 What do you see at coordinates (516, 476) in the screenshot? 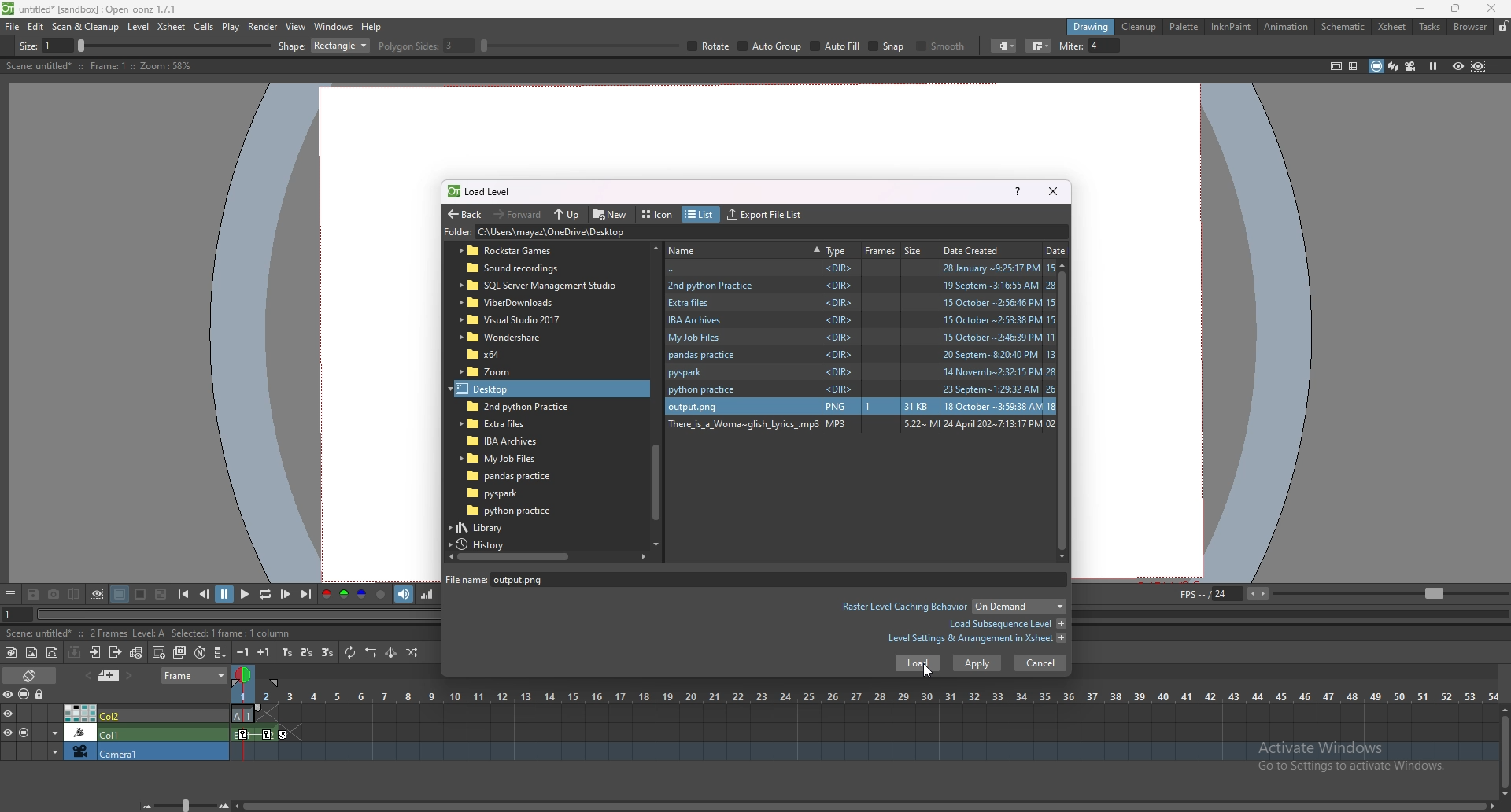
I see `folder` at bounding box center [516, 476].